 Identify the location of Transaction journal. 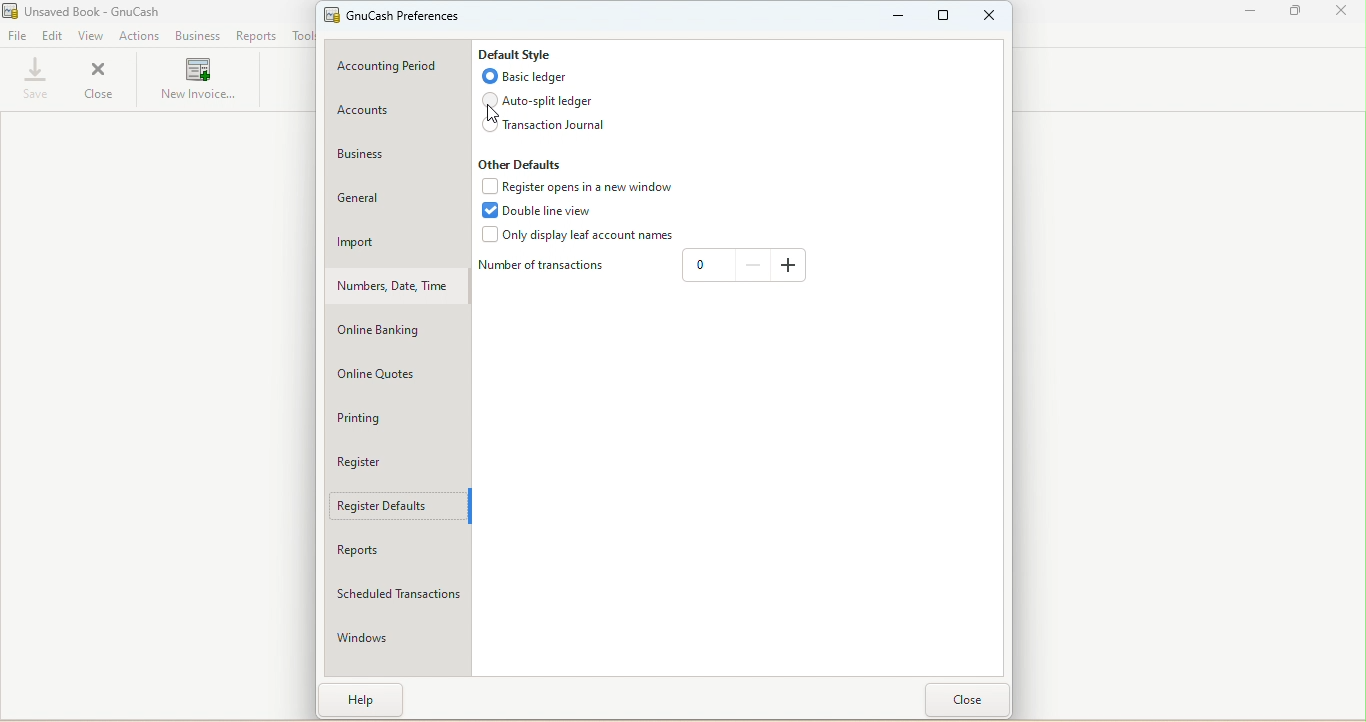
(540, 126).